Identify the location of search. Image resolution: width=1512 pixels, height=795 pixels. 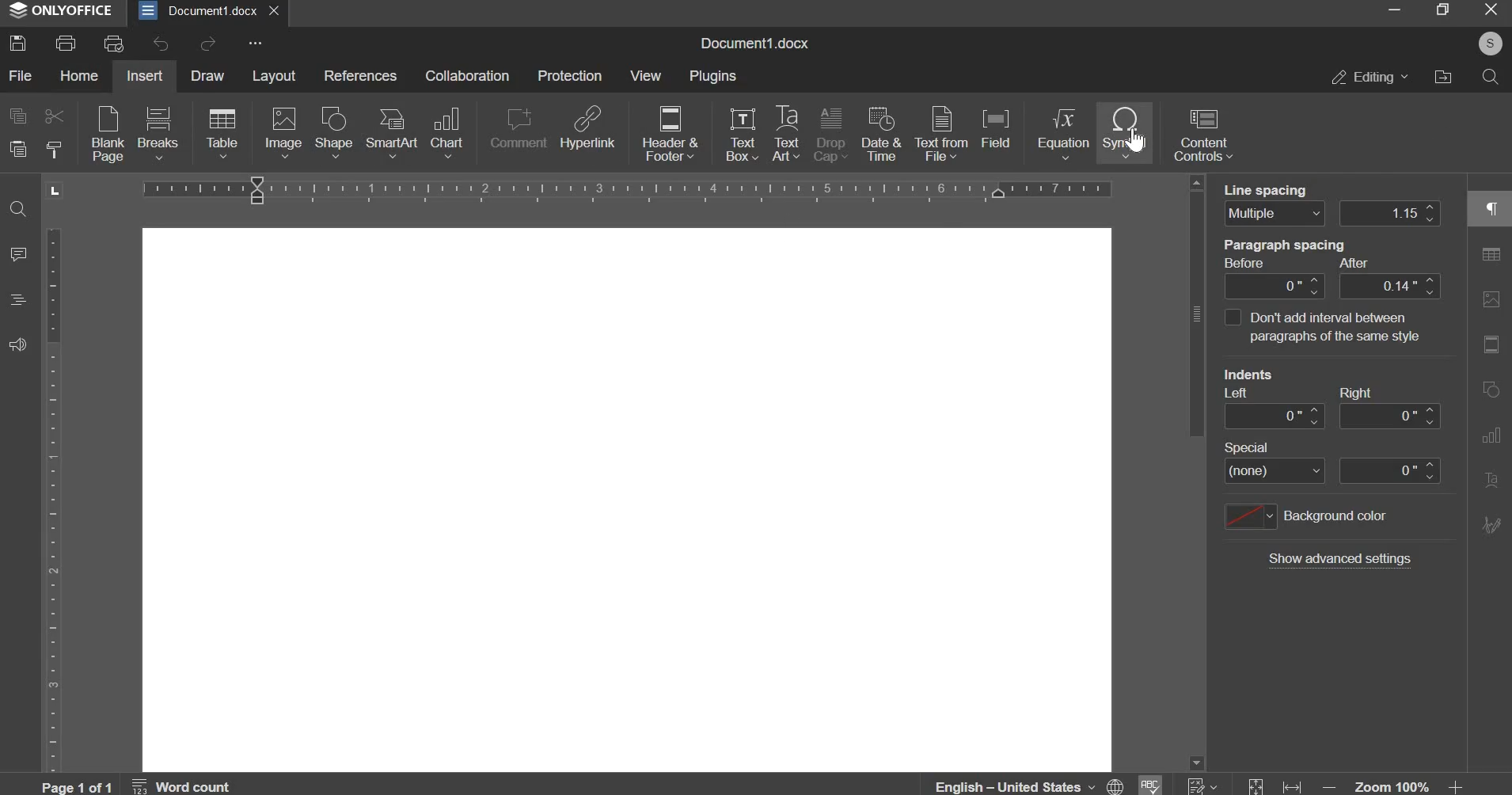
(1491, 77).